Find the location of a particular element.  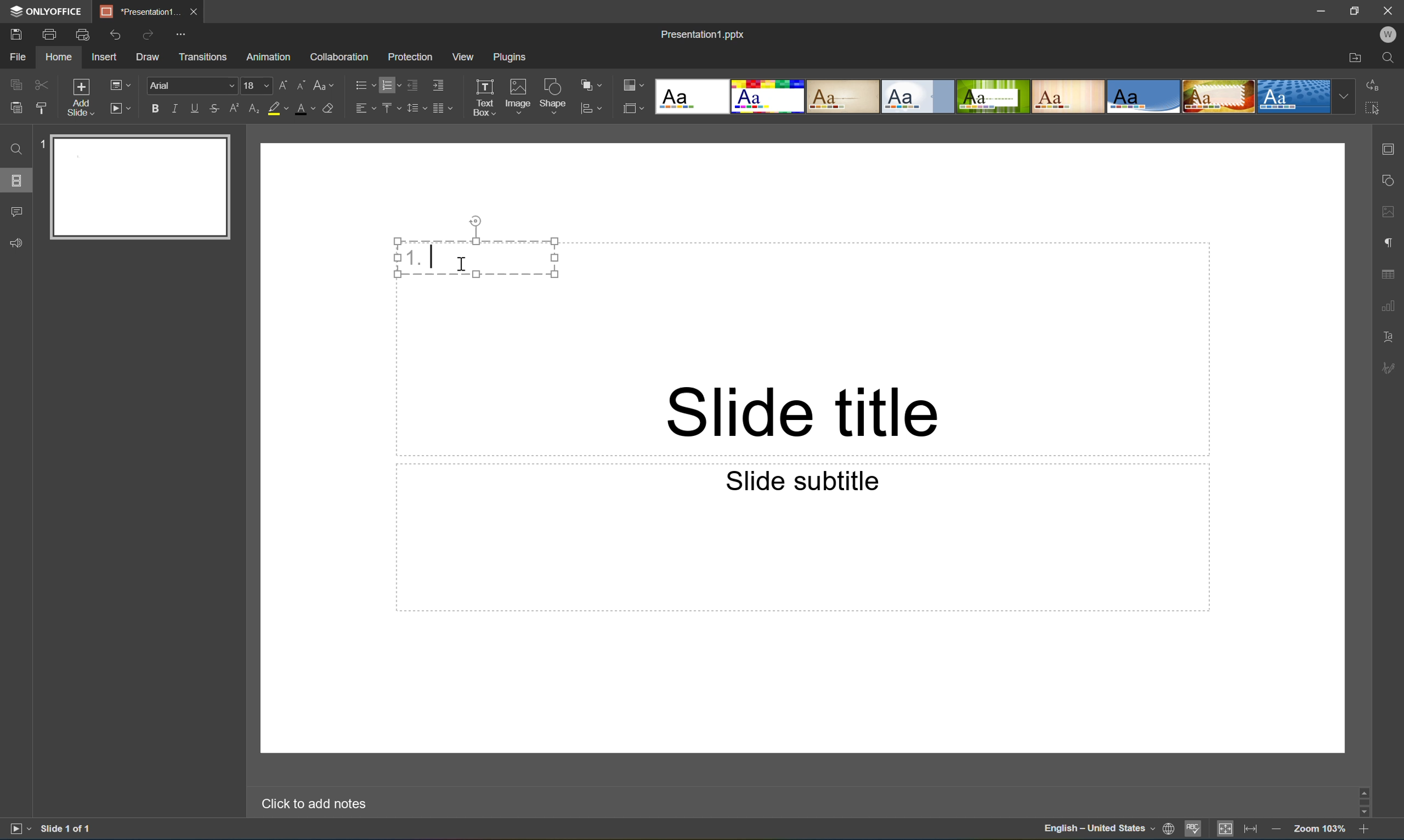

File is located at coordinates (22, 56).